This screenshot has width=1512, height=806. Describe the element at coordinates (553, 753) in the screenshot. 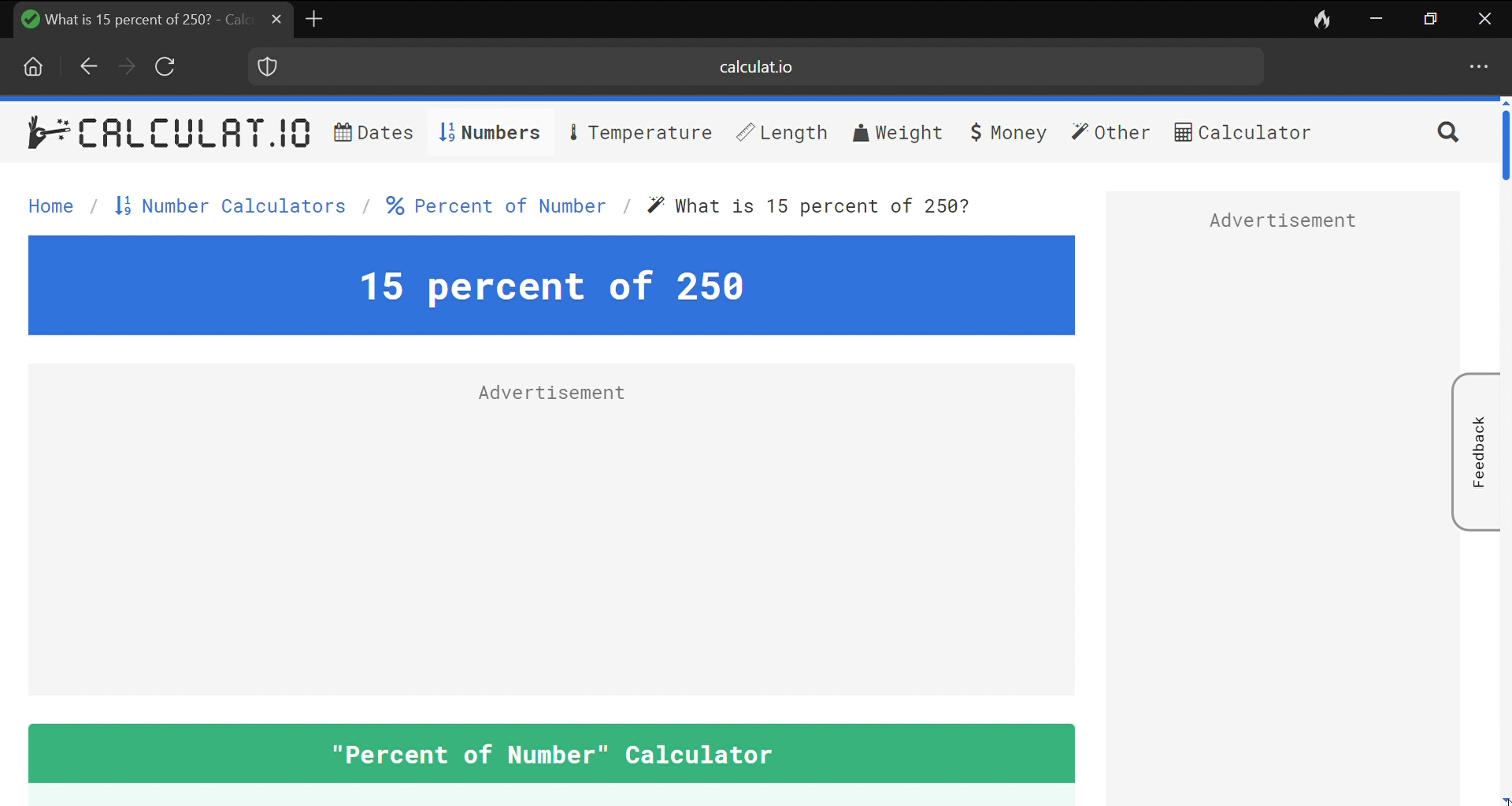

I see `"Percent of Number" Calculator` at that location.